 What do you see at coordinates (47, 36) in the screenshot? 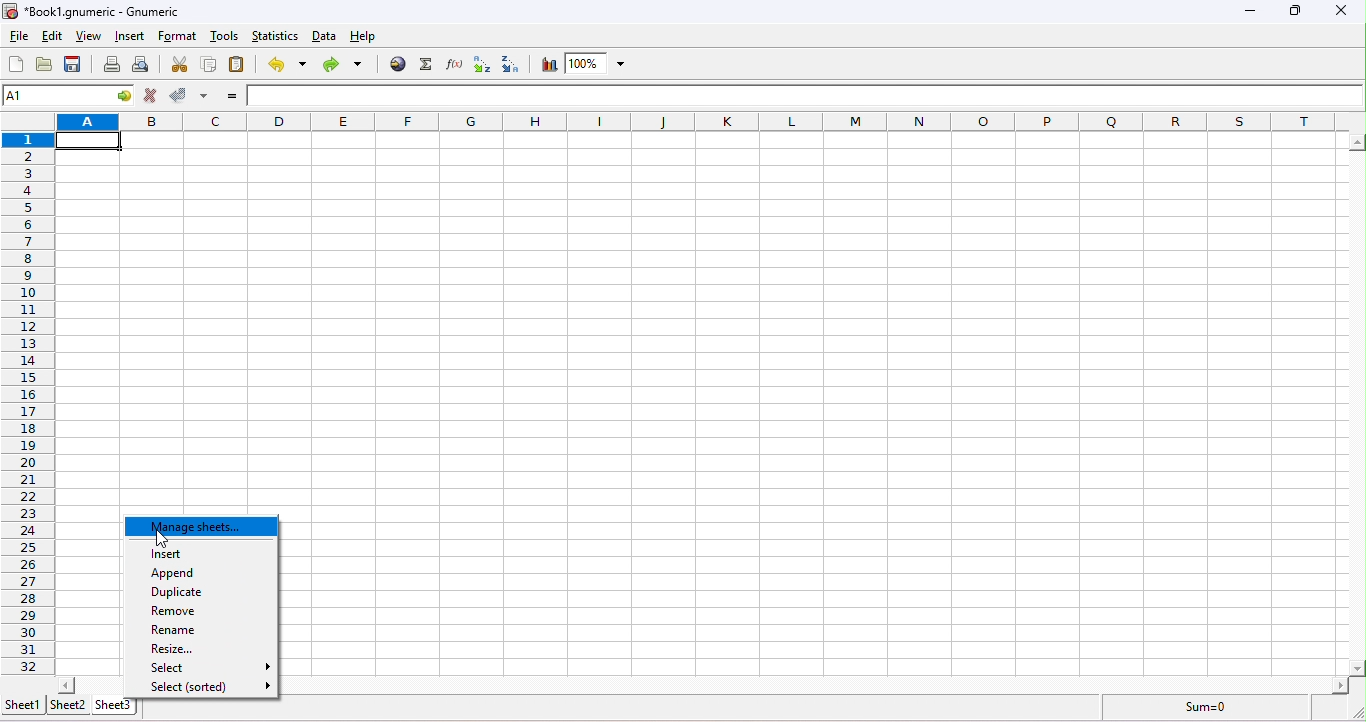
I see `edit` at bounding box center [47, 36].